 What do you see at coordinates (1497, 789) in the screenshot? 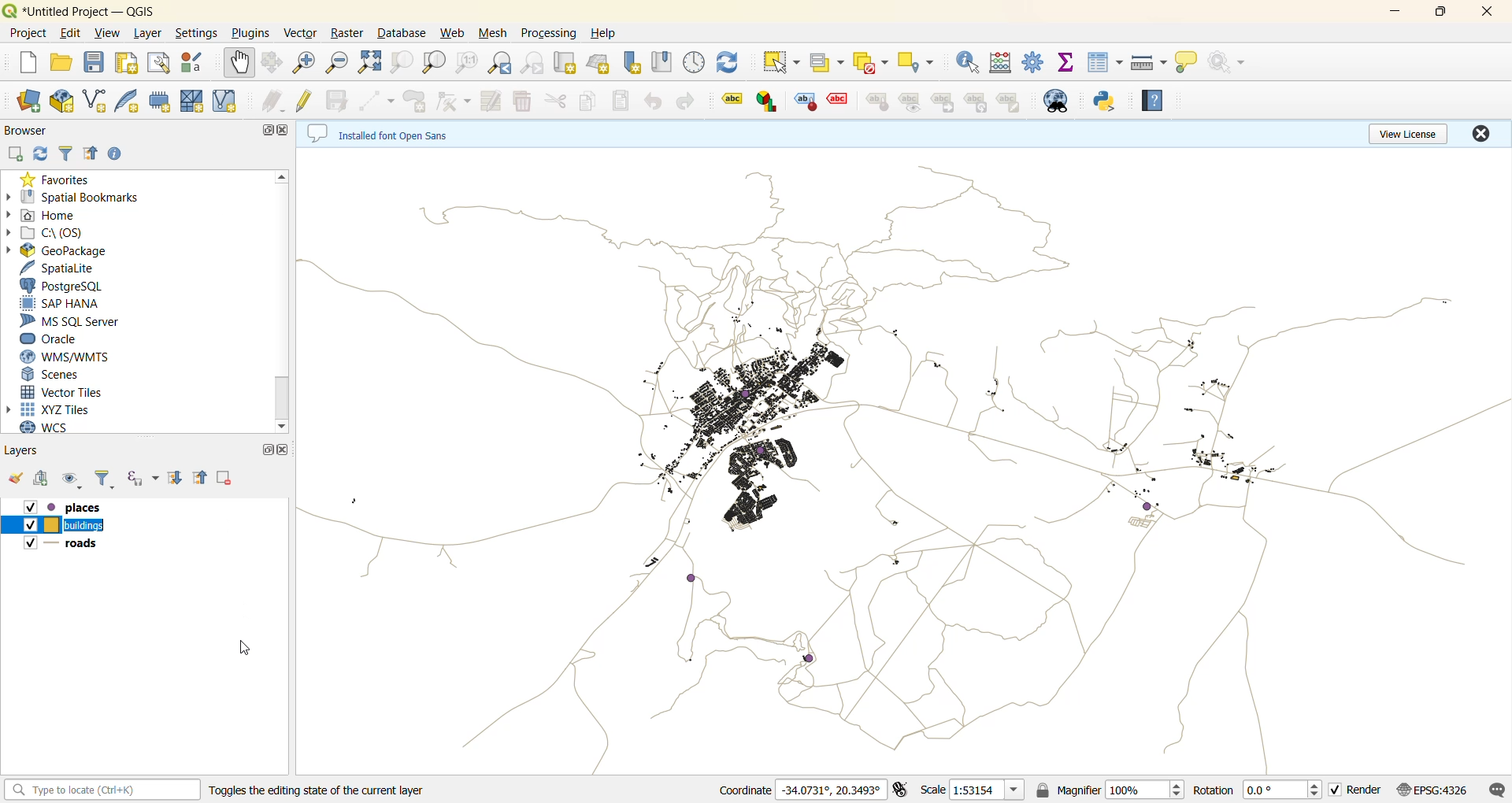
I see `log messages` at bounding box center [1497, 789].